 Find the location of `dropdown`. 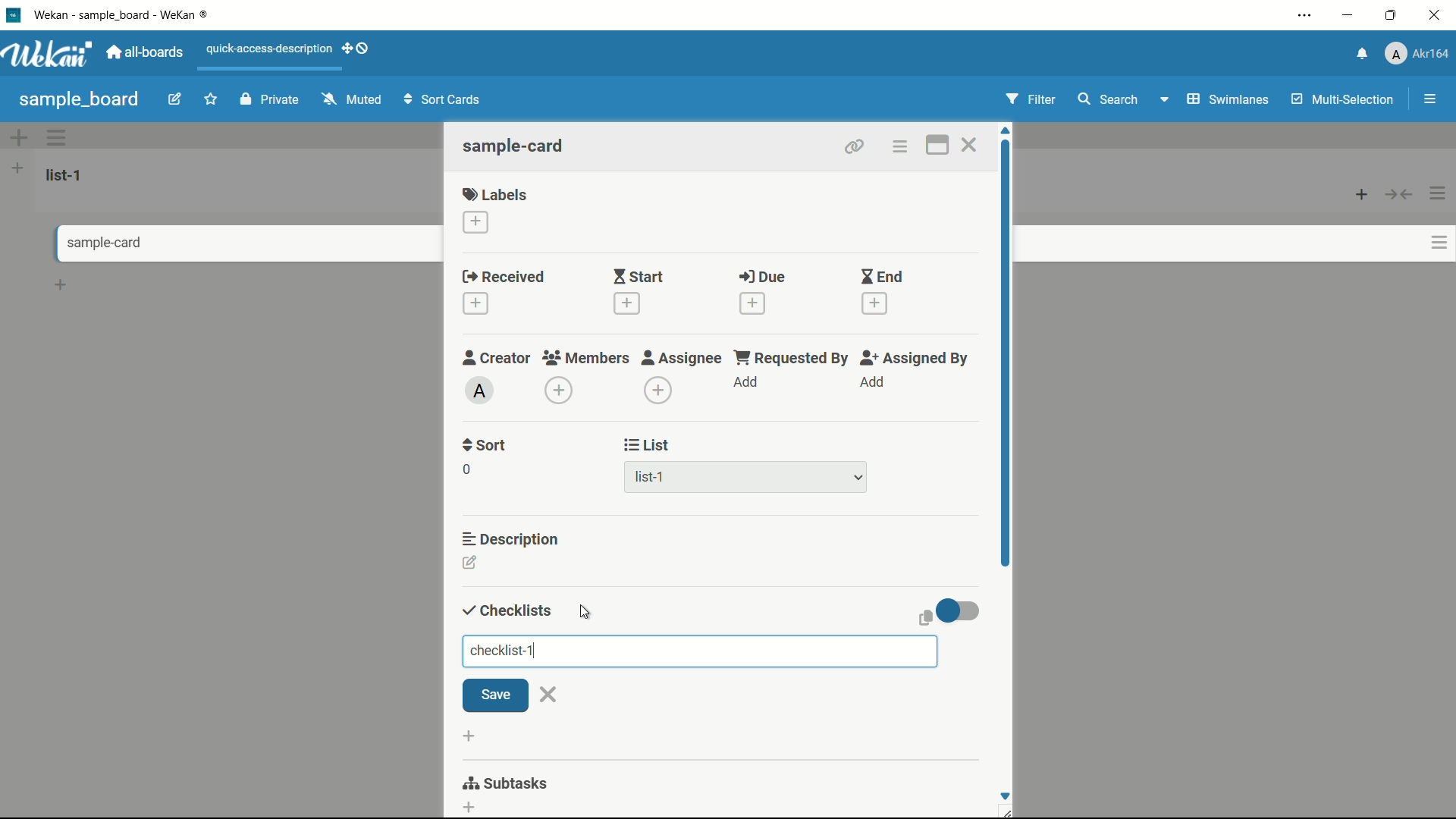

dropdown is located at coordinates (1163, 102).